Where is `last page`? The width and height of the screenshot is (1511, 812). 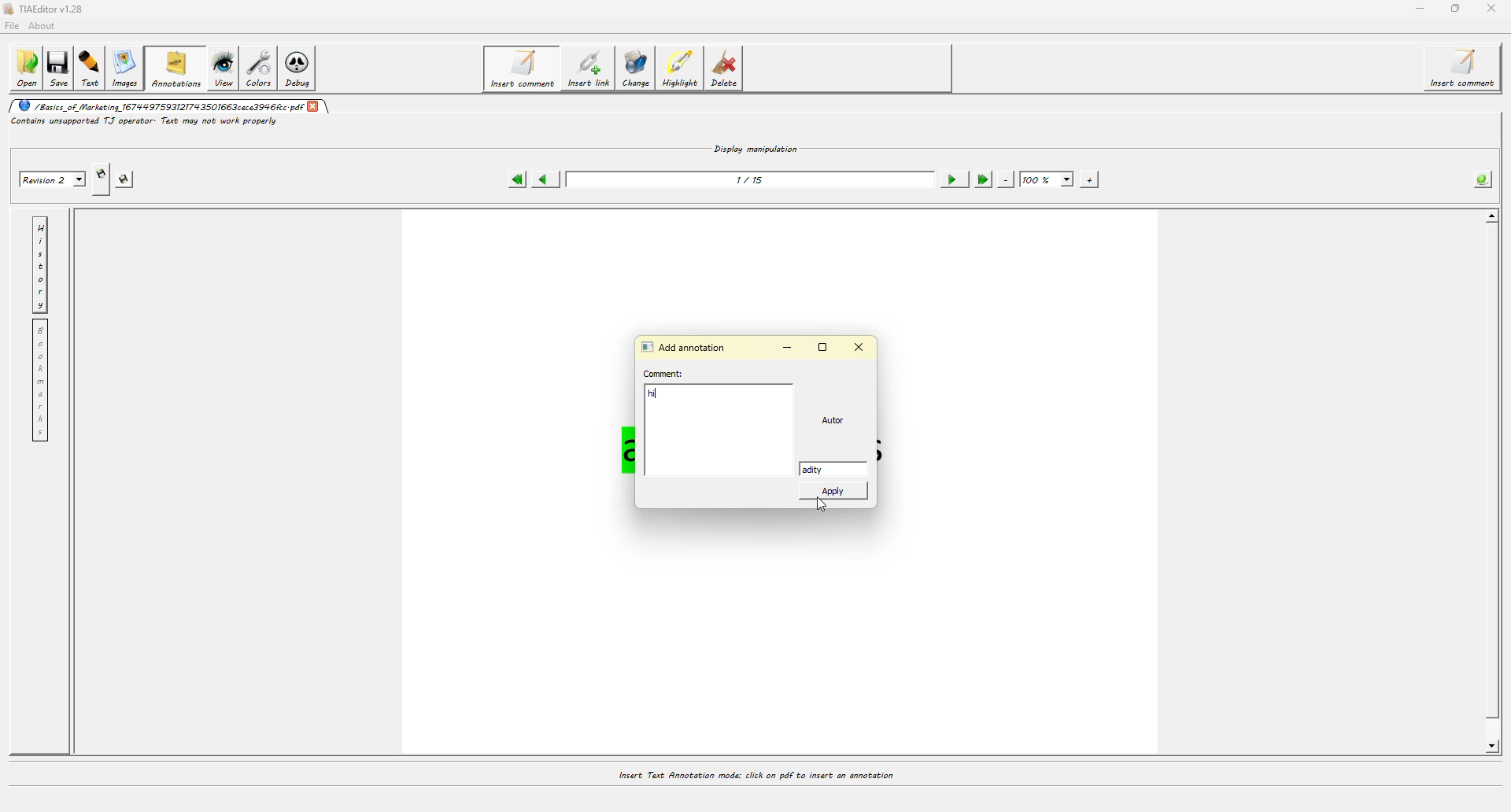
last page is located at coordinates (981, 179).